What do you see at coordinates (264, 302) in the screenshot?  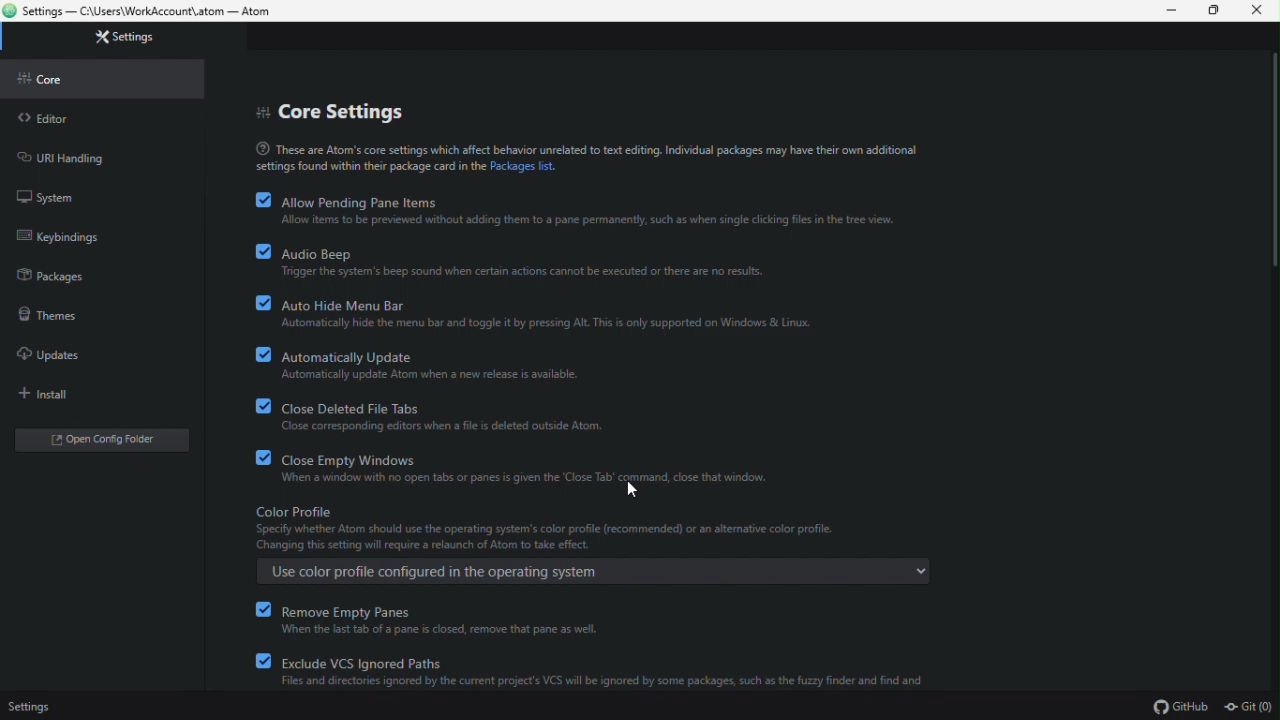 I see `checkbox ` at bounding box center [264, 302].